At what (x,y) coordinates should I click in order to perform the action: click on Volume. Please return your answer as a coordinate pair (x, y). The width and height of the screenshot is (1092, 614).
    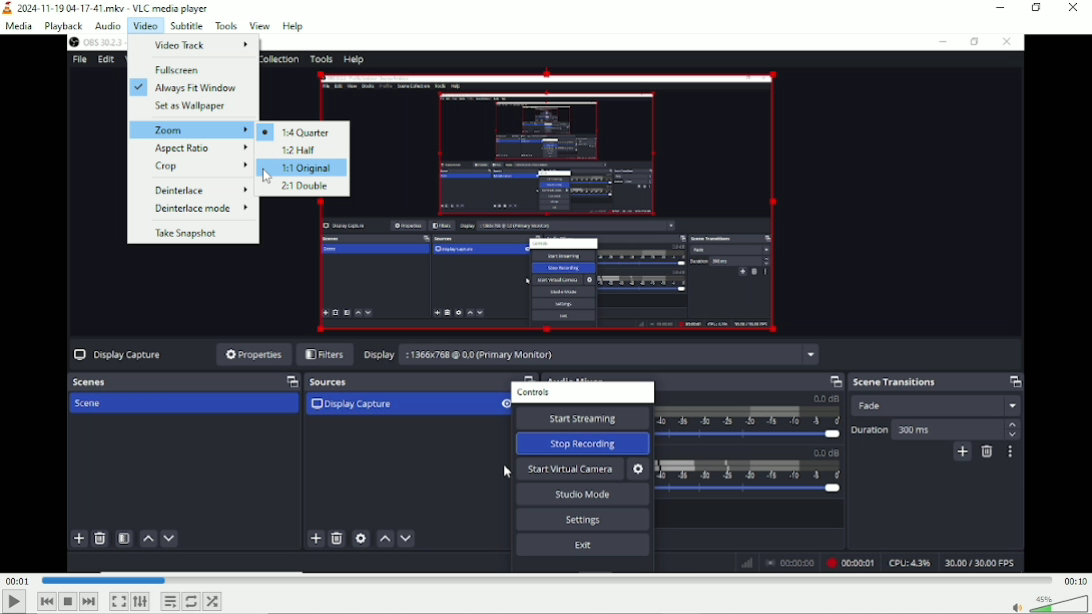
    Looking at the image, I should click on (1046, 603).